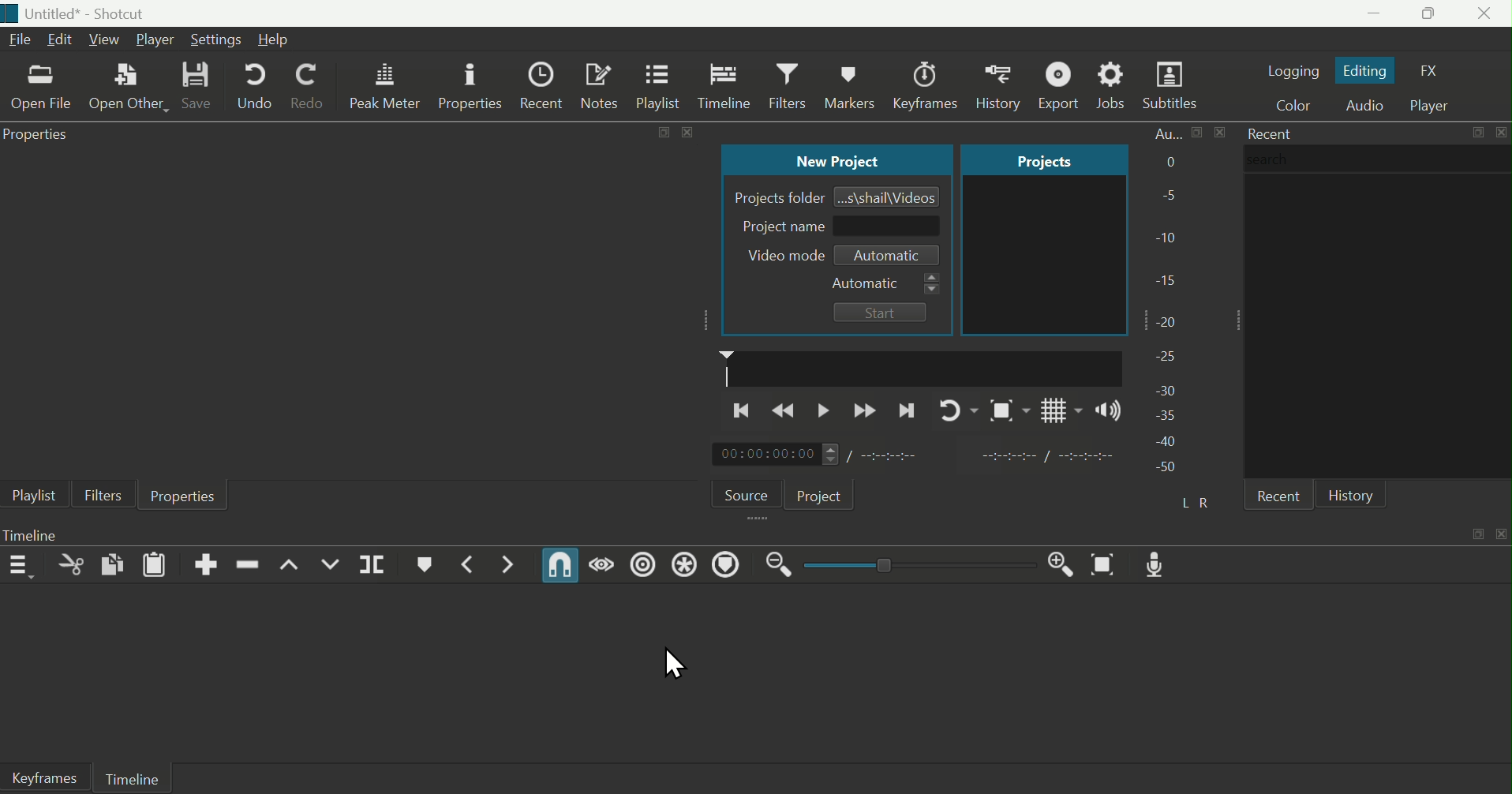 The height and width of the screenshot is (794, 1512). I want to click on Subtitles, so click(1173, 86).